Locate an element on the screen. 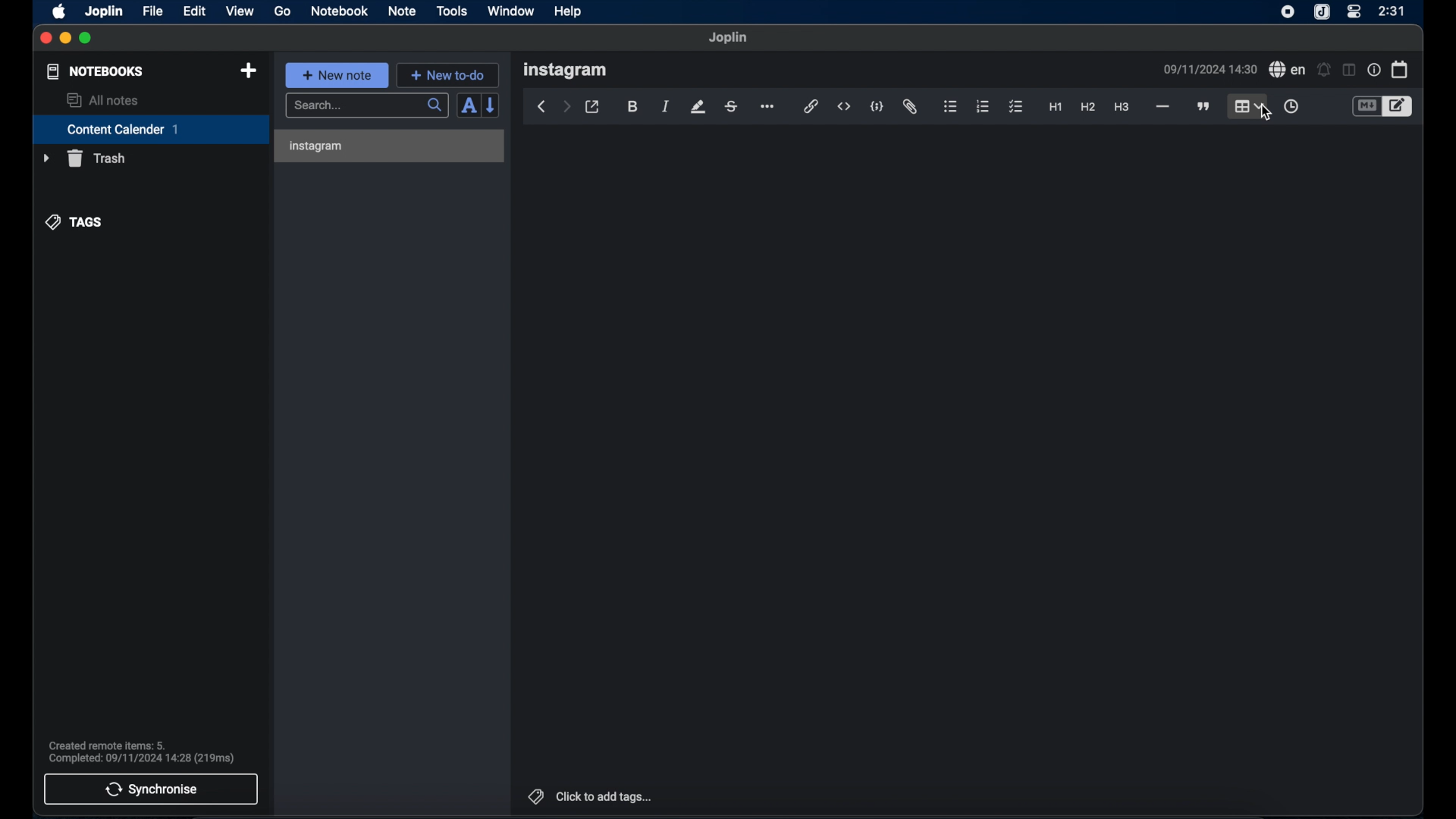  apple icon is located at coordinates (60, 12).